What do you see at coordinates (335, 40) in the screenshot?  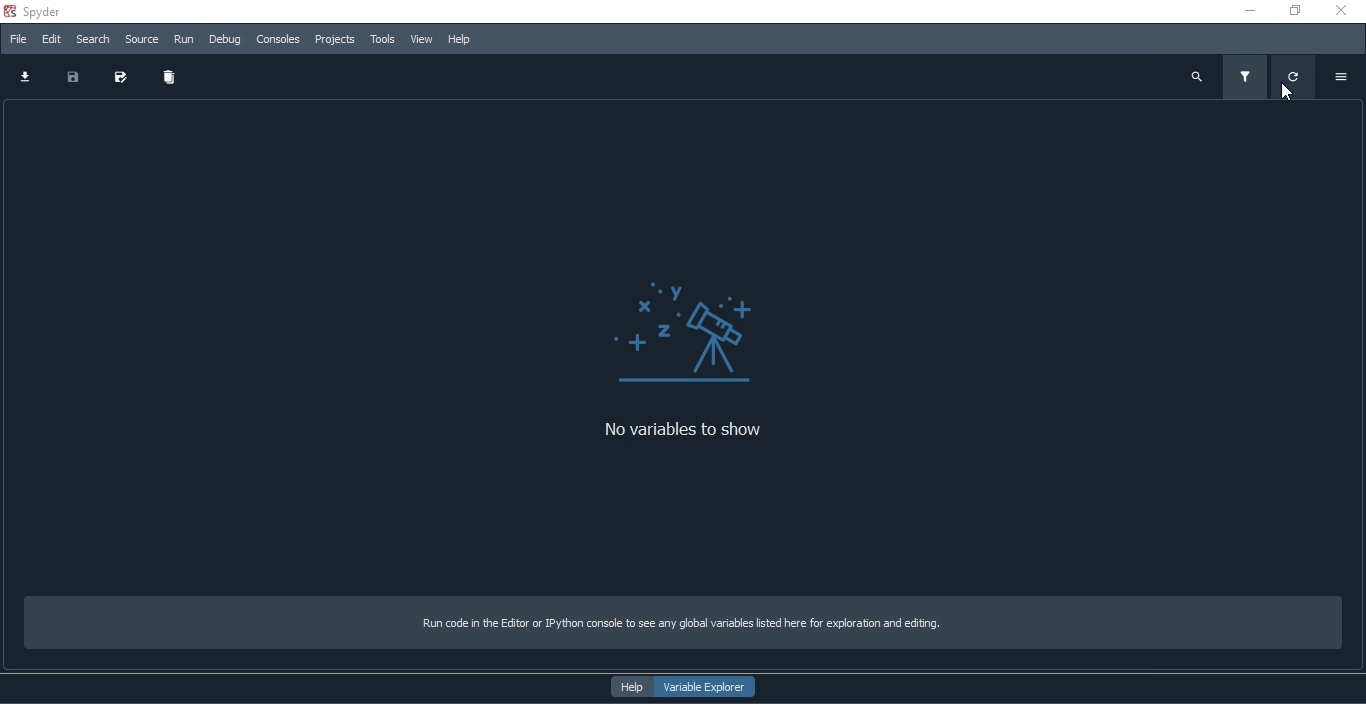 I see `Projects` at bounding box center [335, 40].